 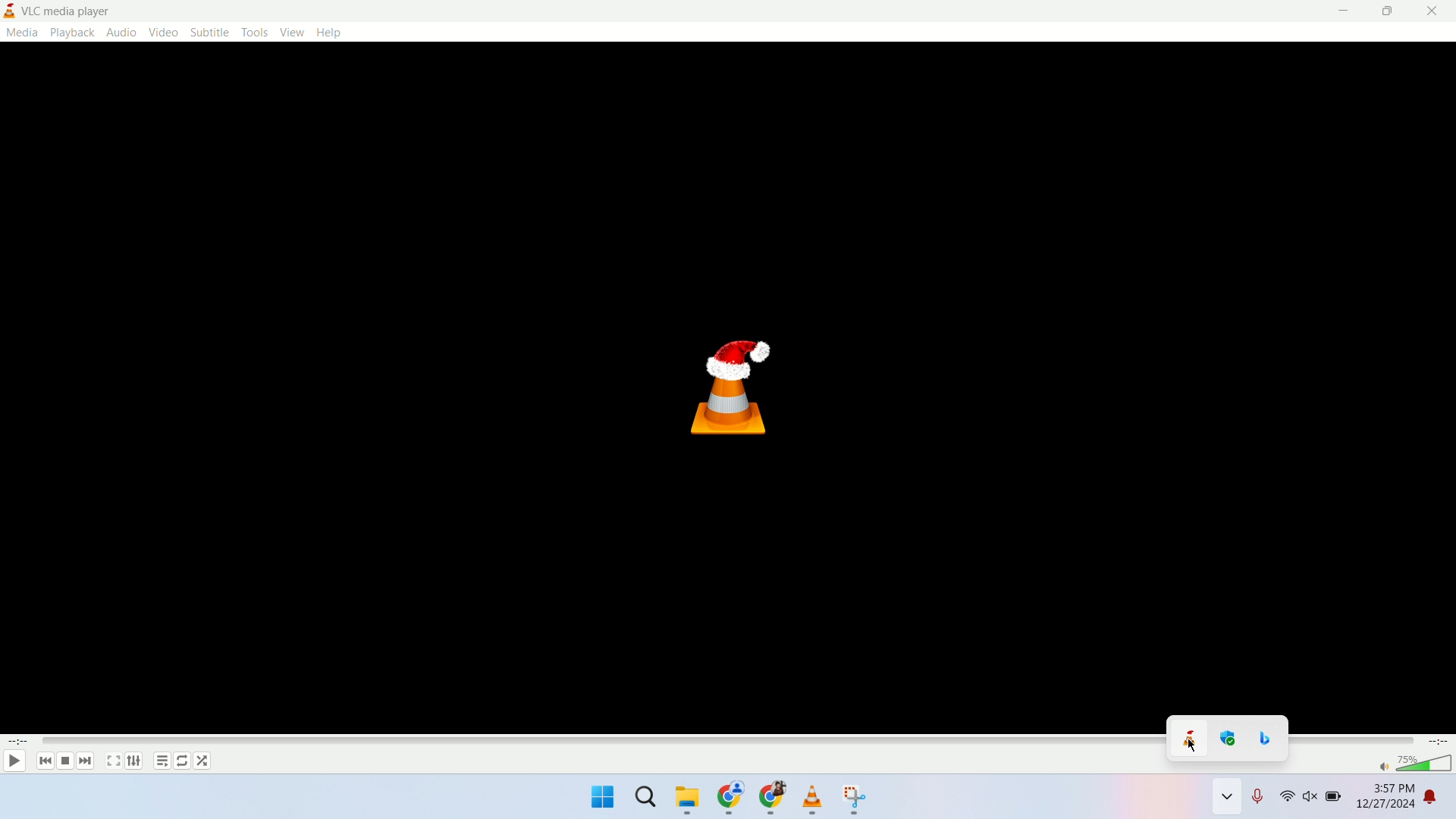 What do you see at coordinates (1335, 802) in the screenshot?
I see `battery` at bounding box center [1335, 802].